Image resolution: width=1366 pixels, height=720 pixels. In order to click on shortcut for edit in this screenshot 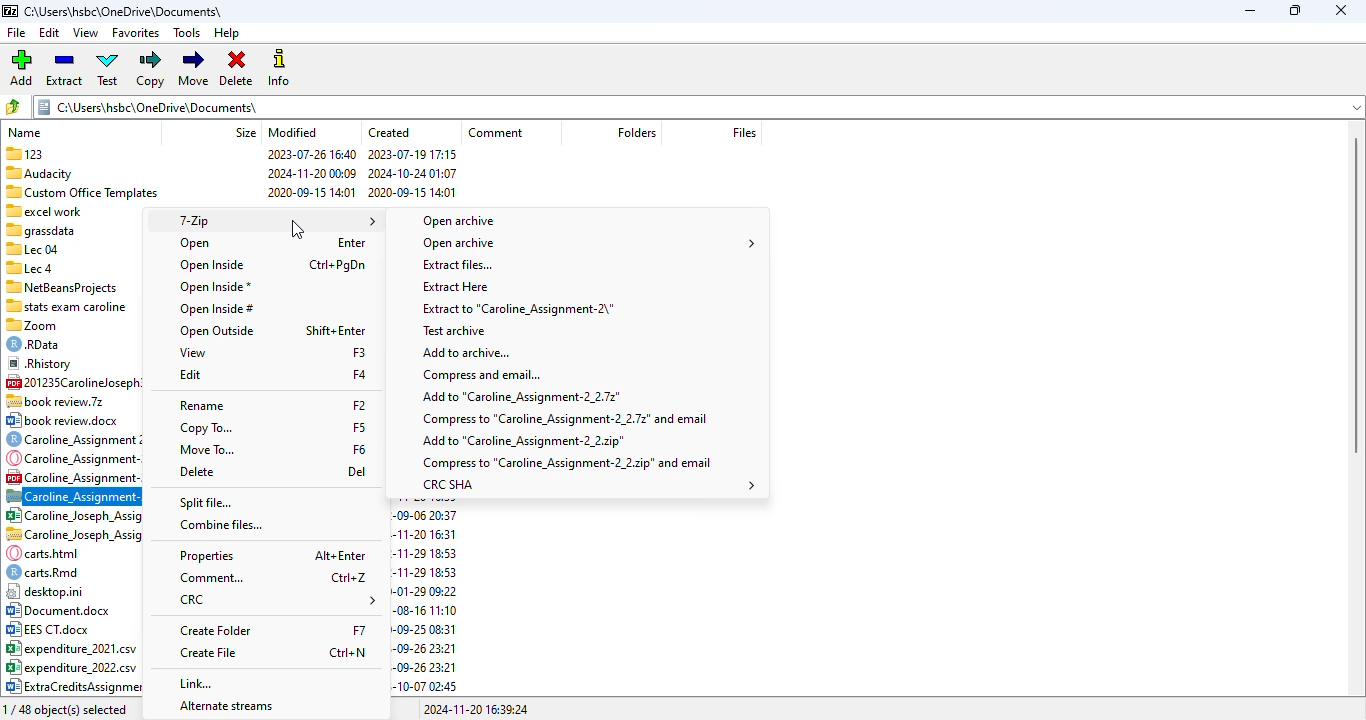, I will do `click(359, 374)`.